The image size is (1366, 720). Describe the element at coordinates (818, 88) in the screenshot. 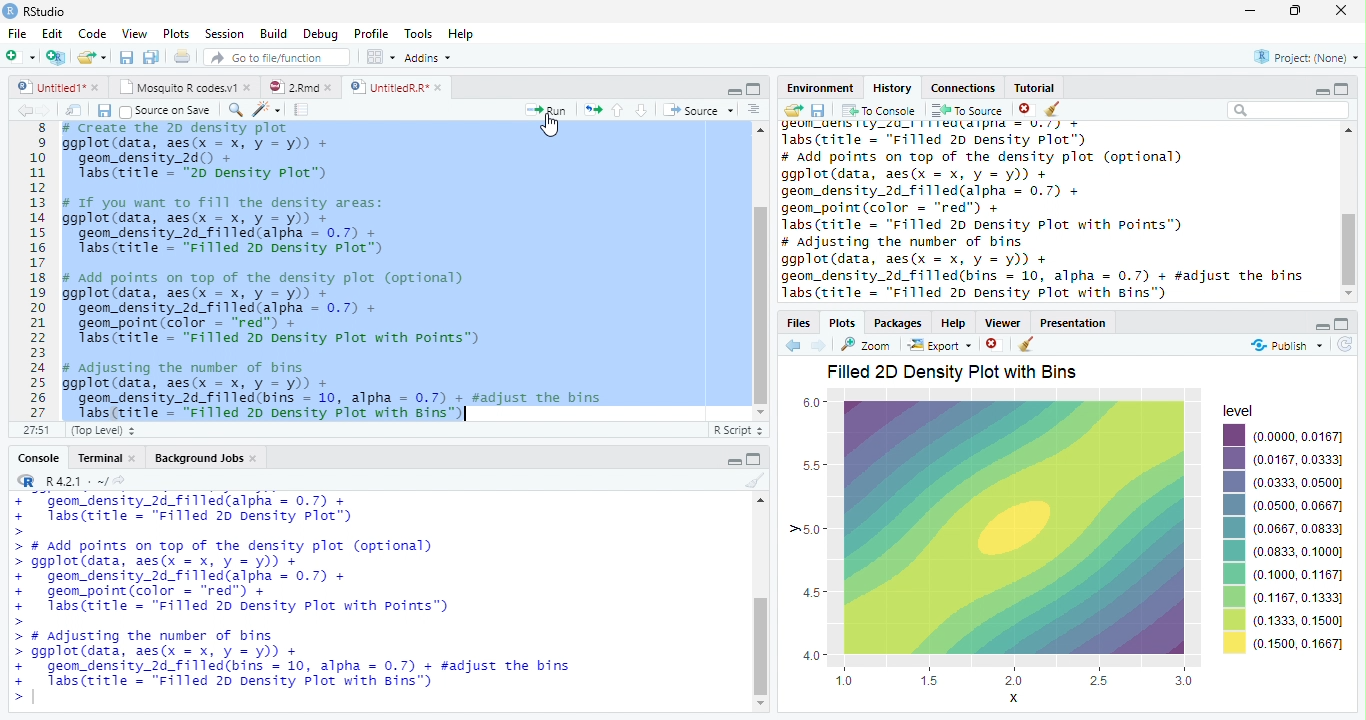

I see `Environment` at that location.